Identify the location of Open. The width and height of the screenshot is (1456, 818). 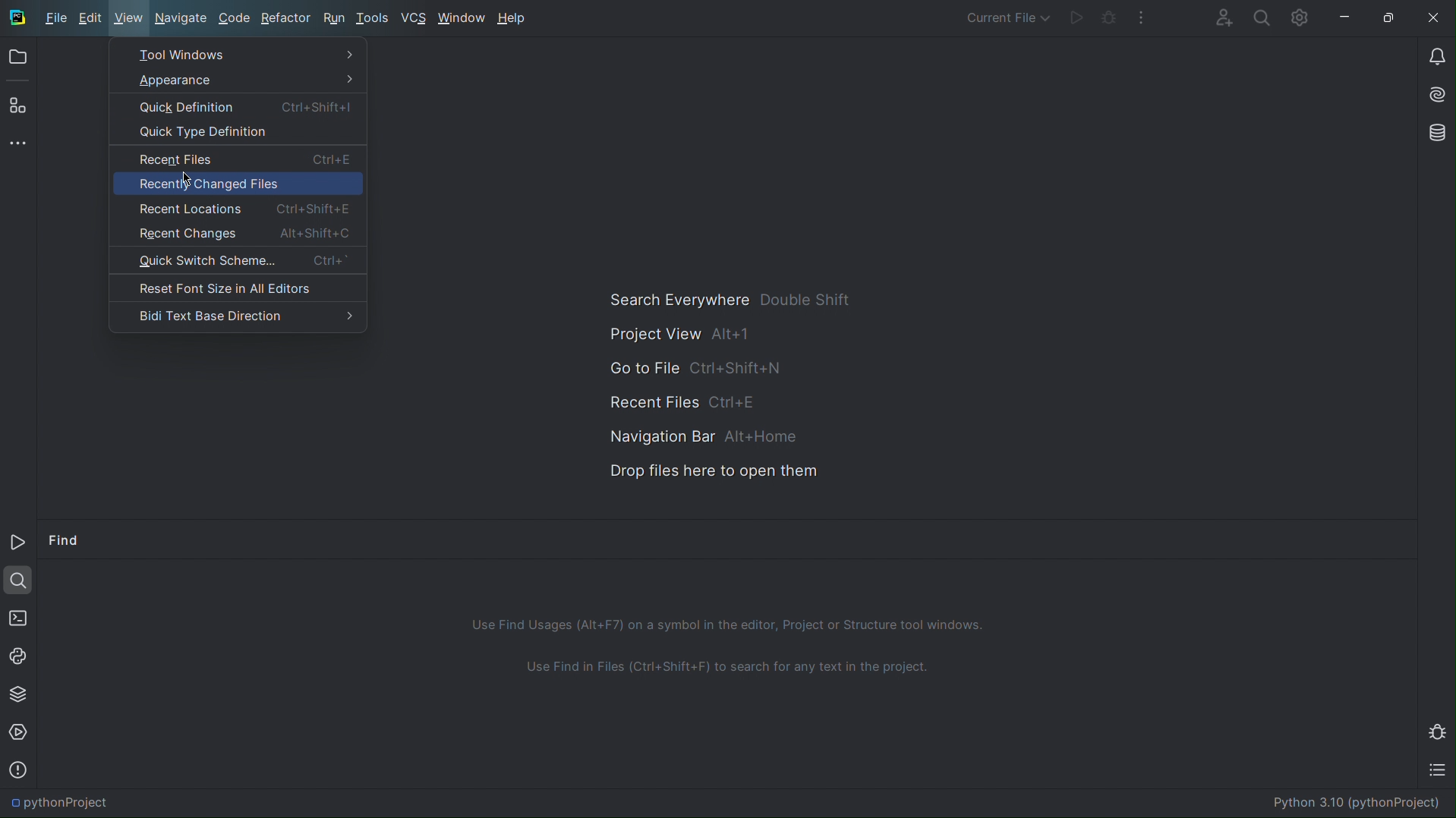
(17, 60).